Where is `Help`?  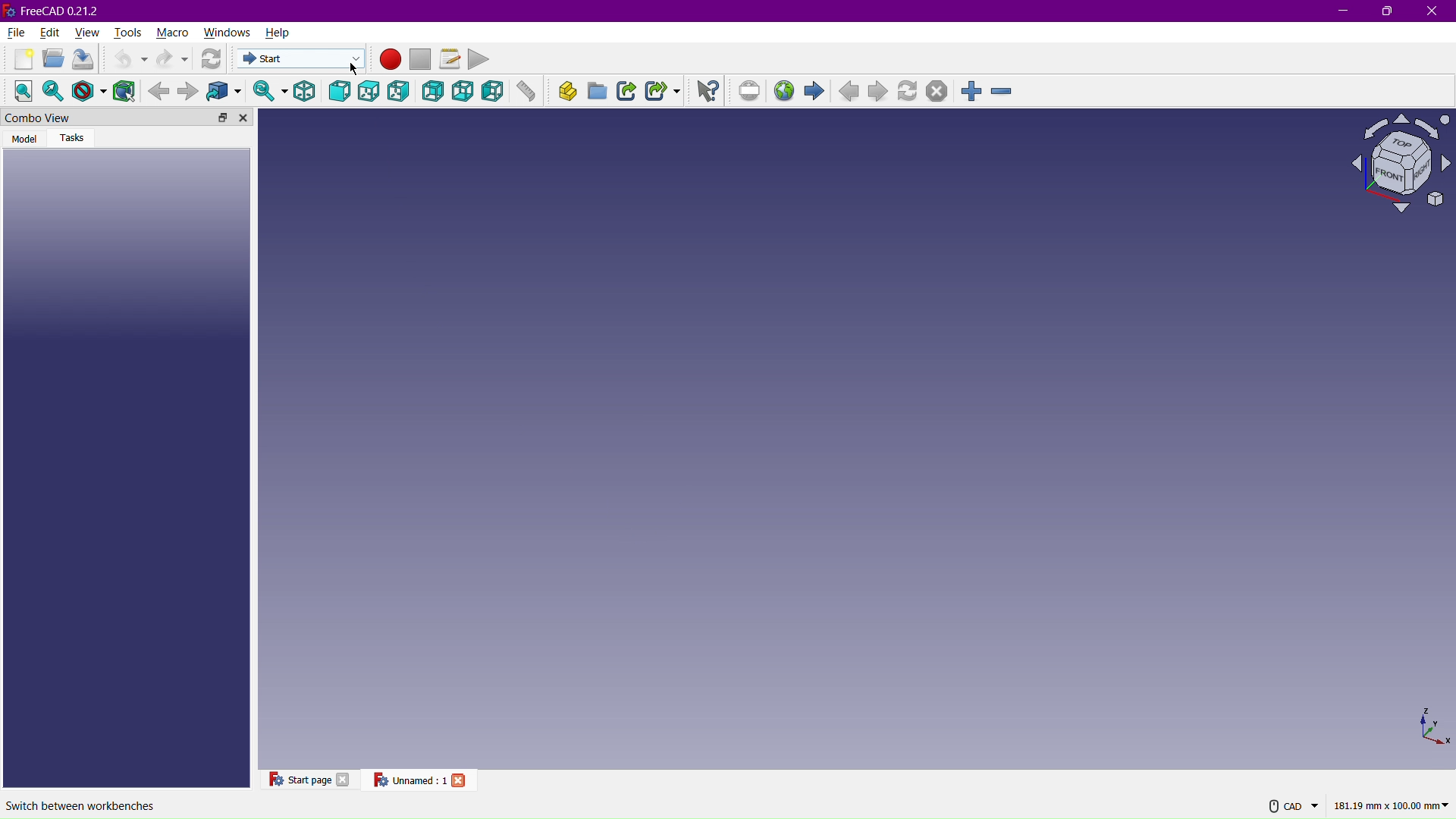 Help is located at coordinates (280, 31).